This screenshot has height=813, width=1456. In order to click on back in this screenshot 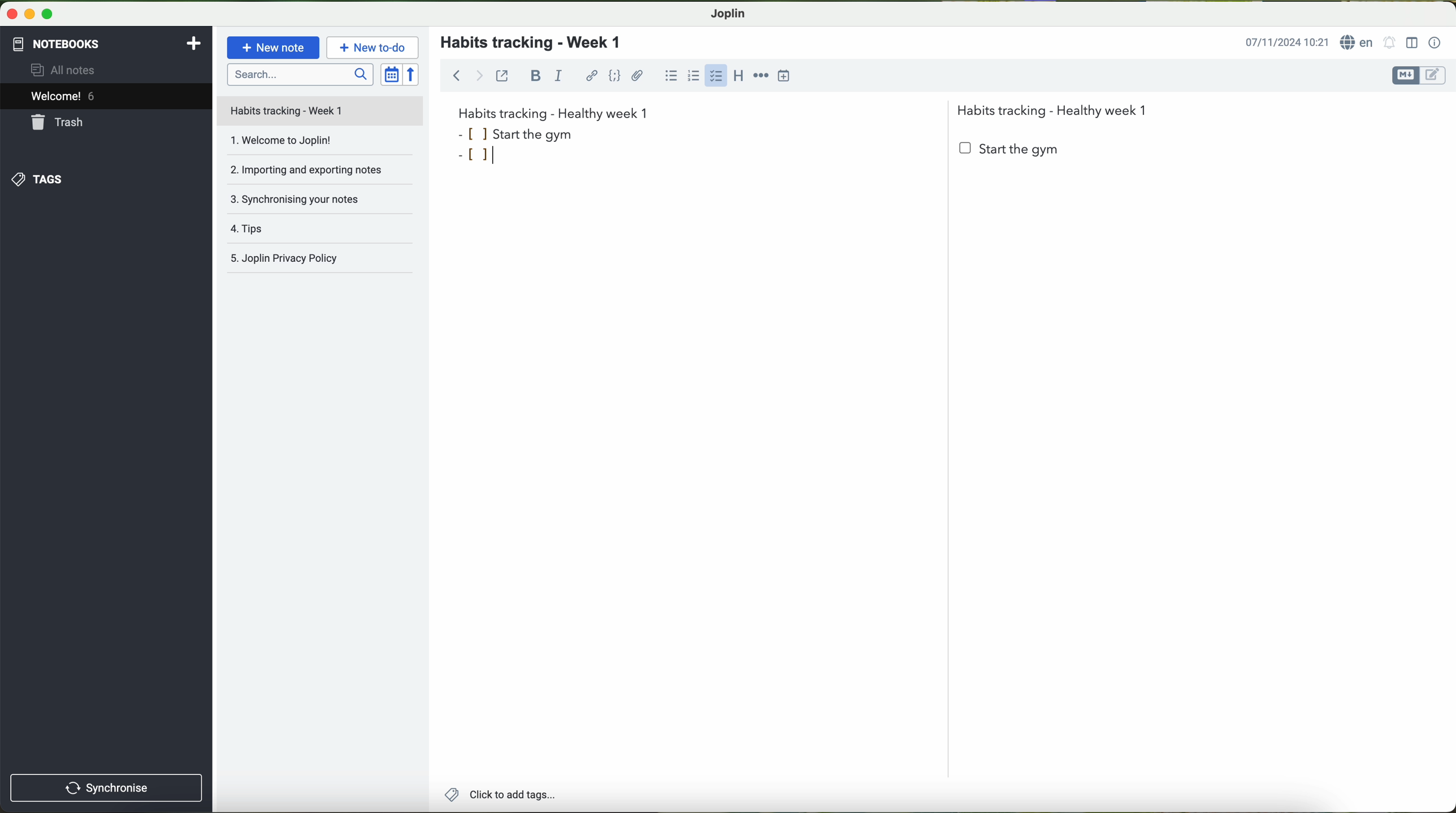, I will do `click(453, 74)`.